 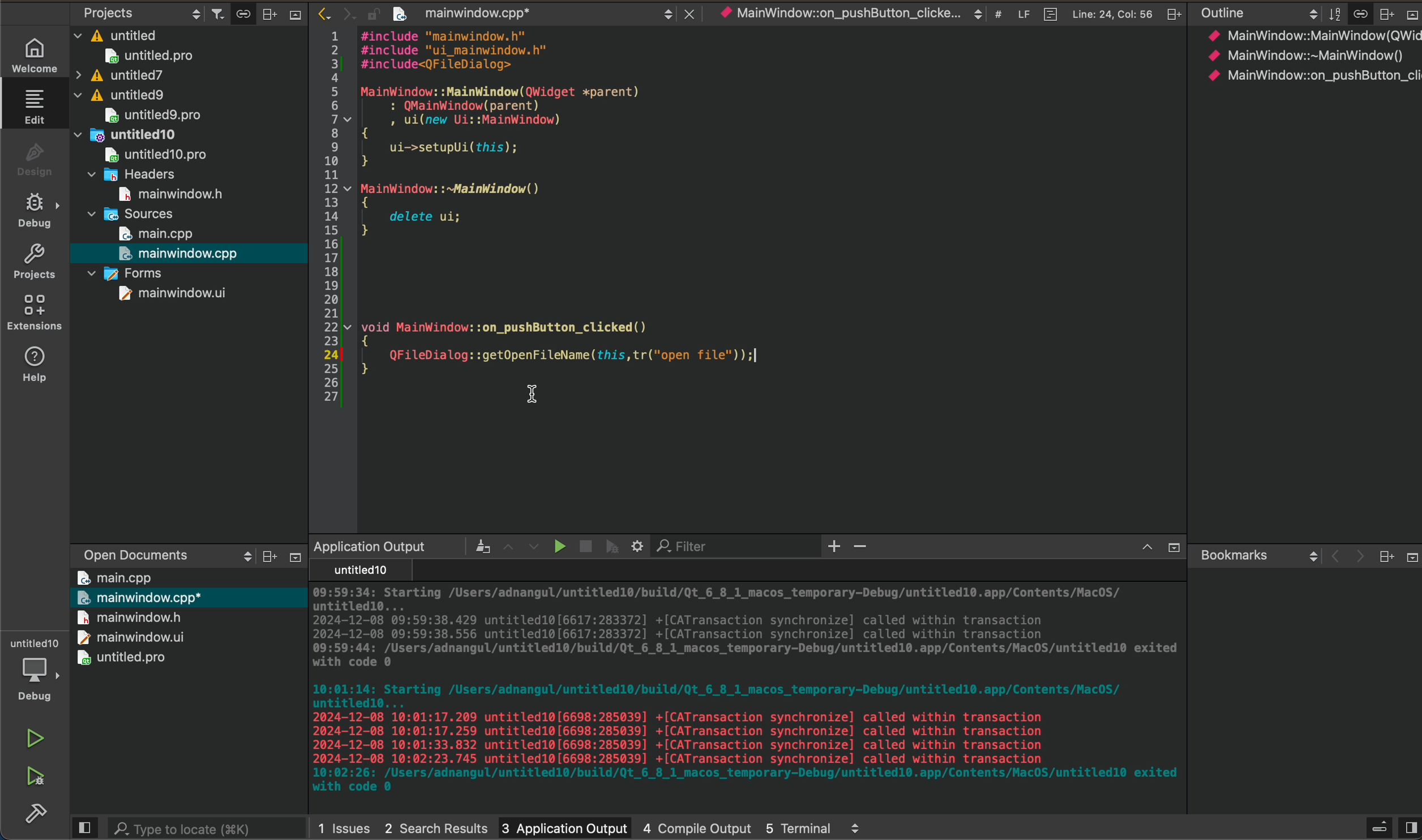 I want to click on untitled9.pro, so click(x=152, y=115).